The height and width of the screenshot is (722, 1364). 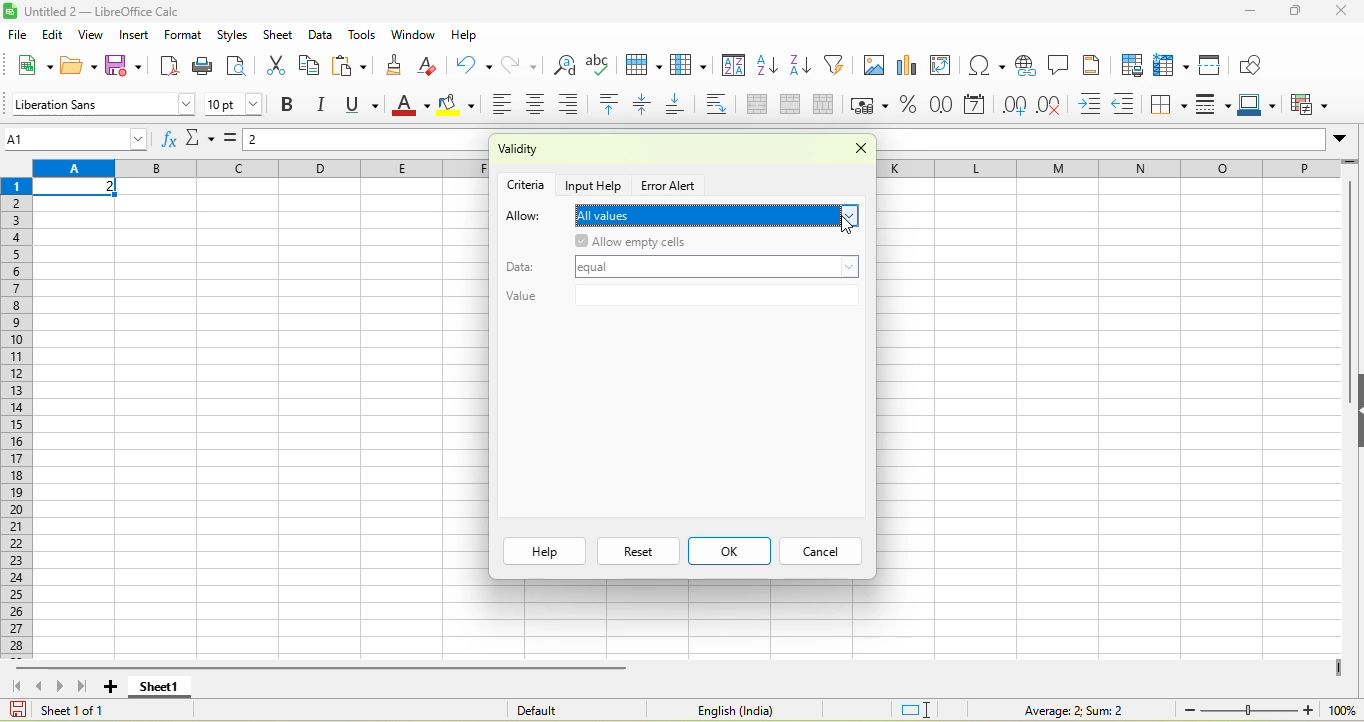 What do you see at coordinates (352, 66) in the screenshot?
I see `paste` at bounding box center [352, 66].